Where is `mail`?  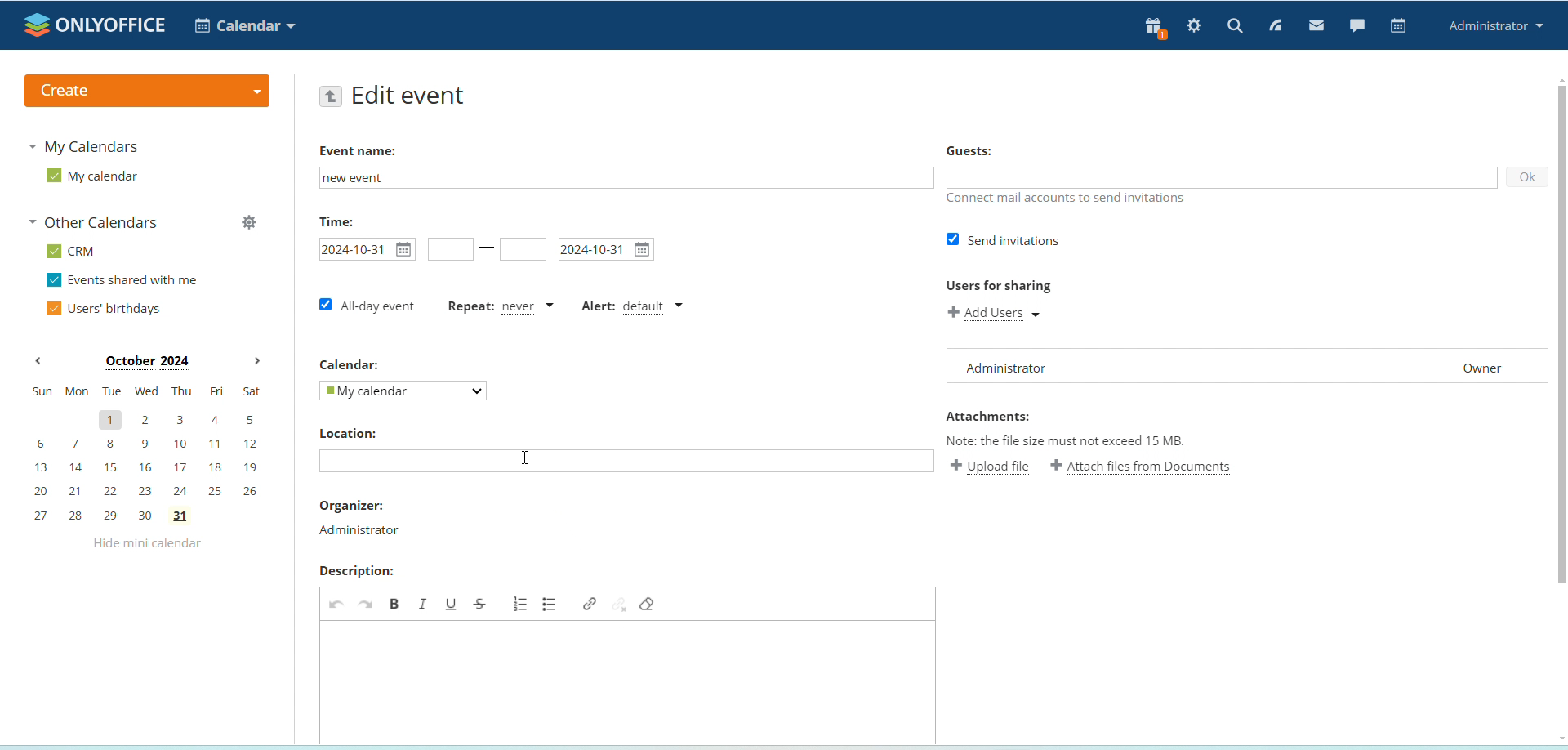 mail is located at coordinates (1317, 27).